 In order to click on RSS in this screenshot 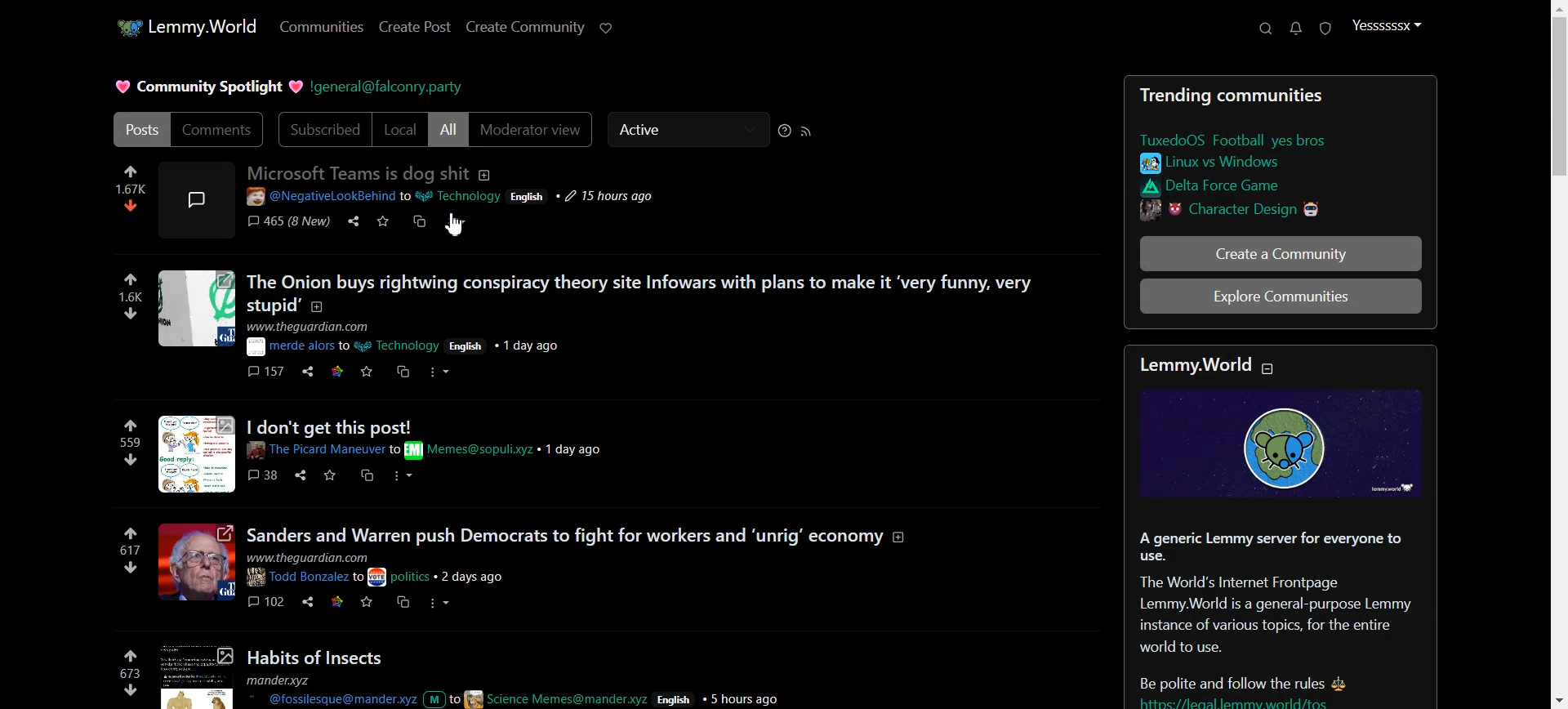, I will do `click(808, 130)`.